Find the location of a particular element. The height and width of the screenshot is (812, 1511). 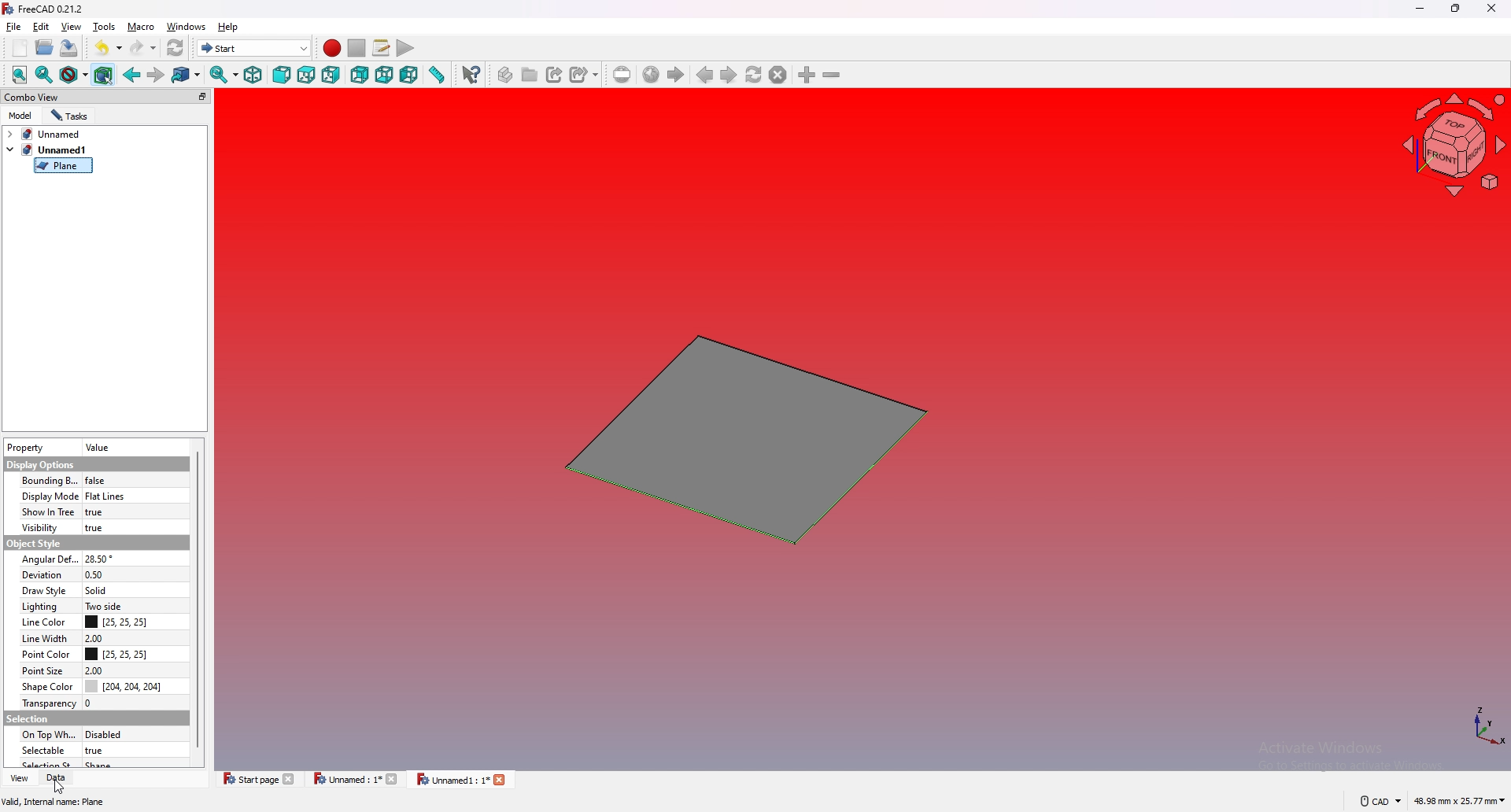

tab2: unnamed1 is located at coordinates (46, 149).